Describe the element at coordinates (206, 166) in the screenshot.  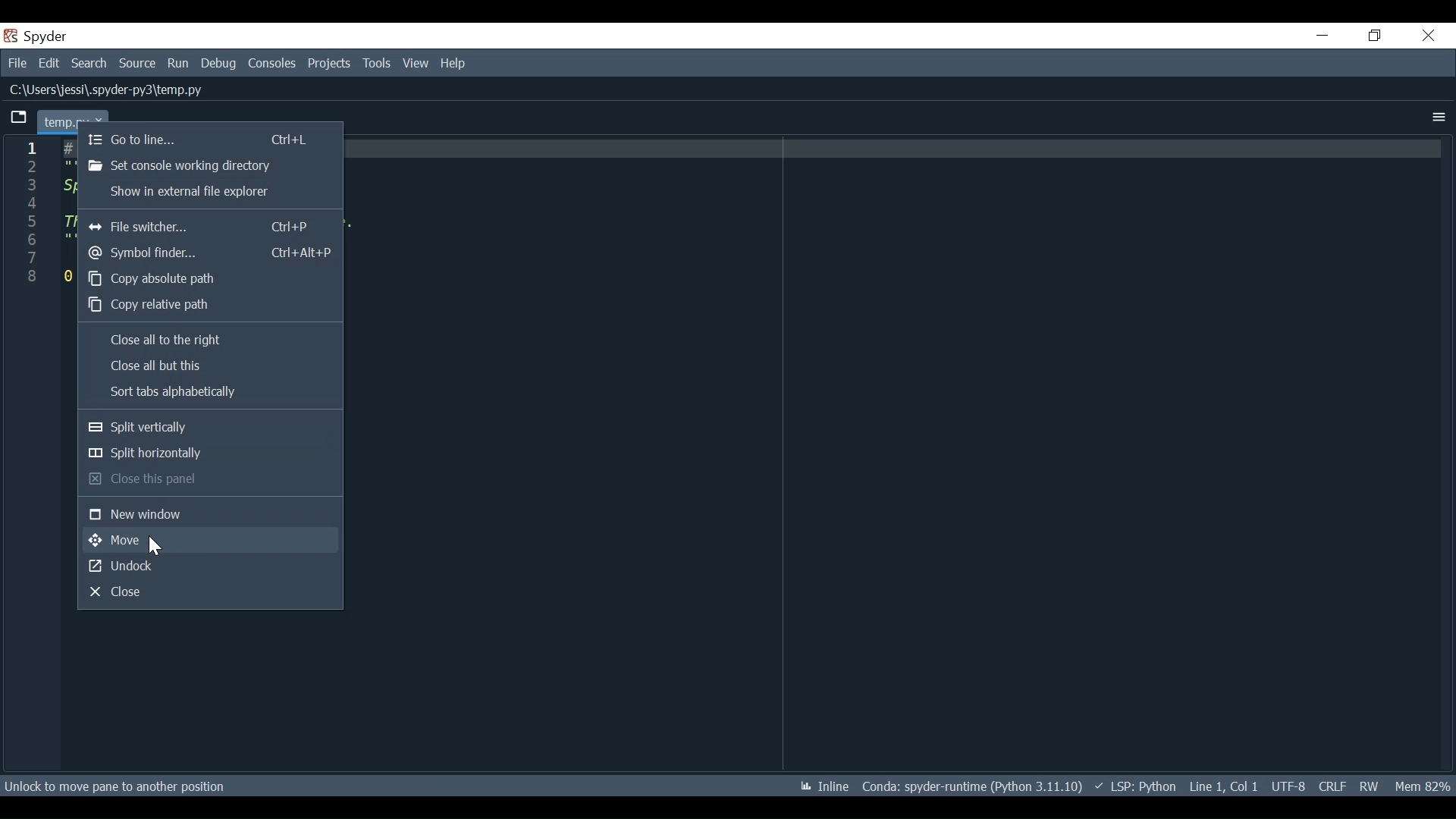
I see `Set console working directory` at that location.